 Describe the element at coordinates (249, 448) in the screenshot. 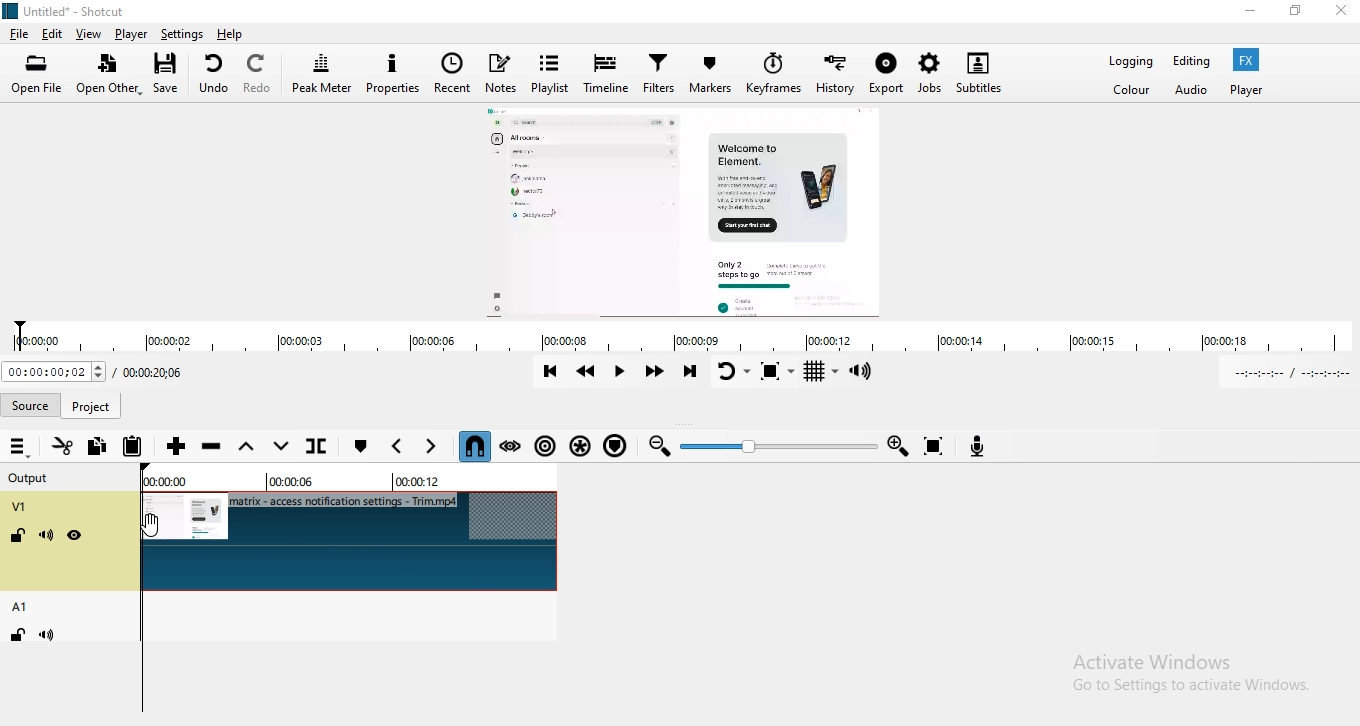

I see `Lift` at that location.